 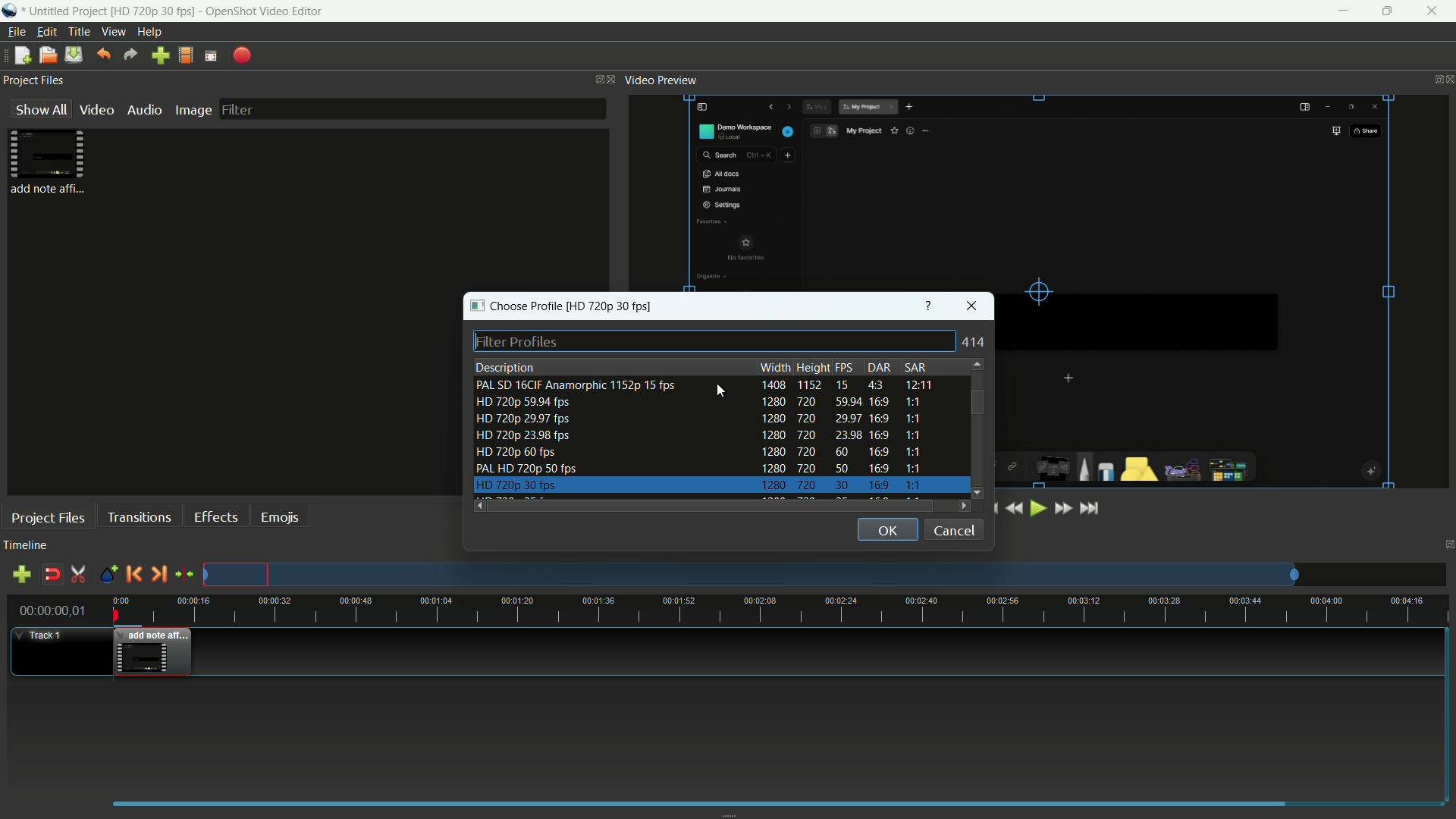 What do you see at coordinates (79, 574) in the screenshot?
I see `enable razor` at bounding box center [79, 574].